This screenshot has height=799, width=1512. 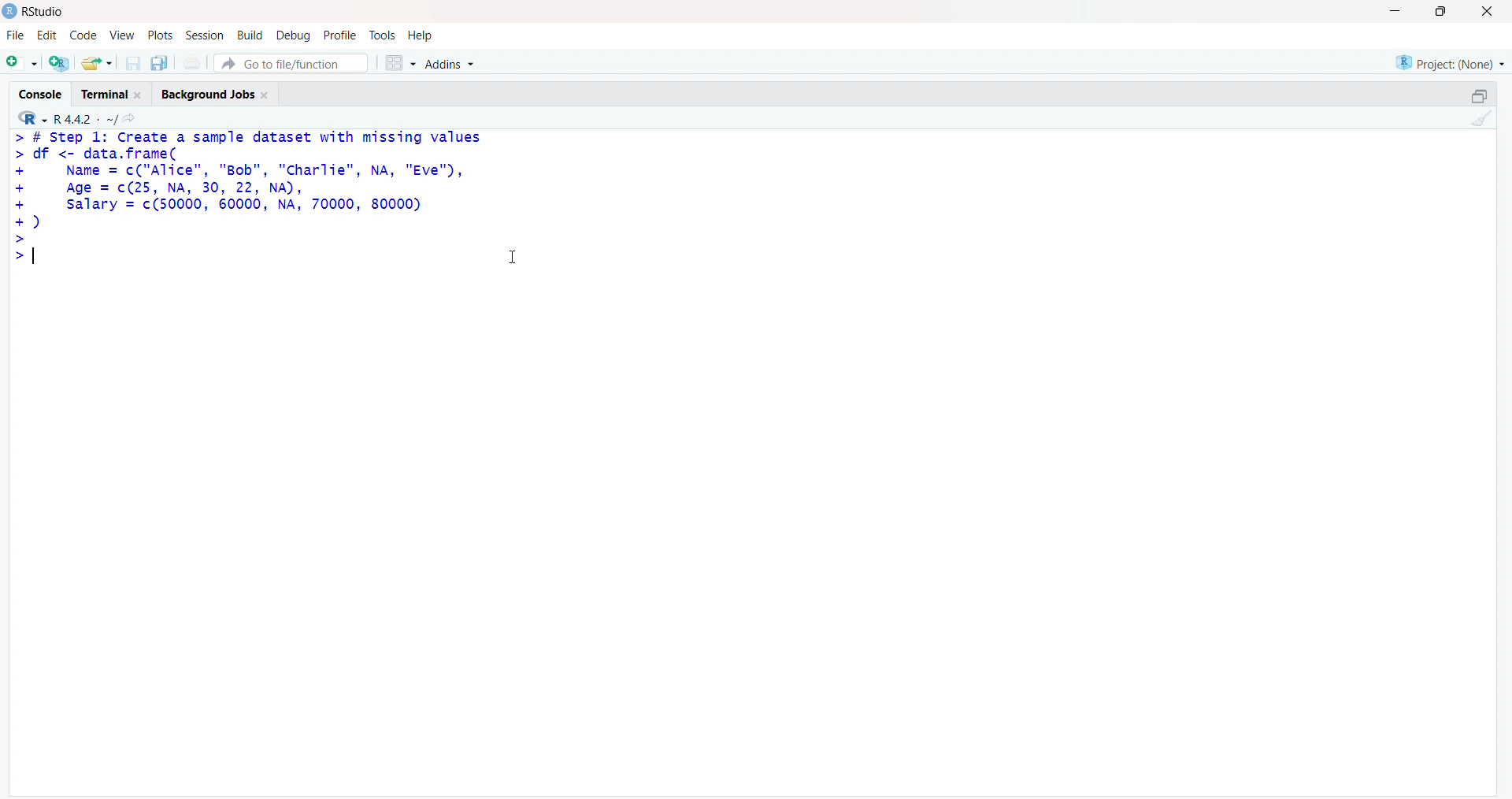 I want to click on Save all open documents (Ctrl + Alt + S), so click(x=160, y=63).